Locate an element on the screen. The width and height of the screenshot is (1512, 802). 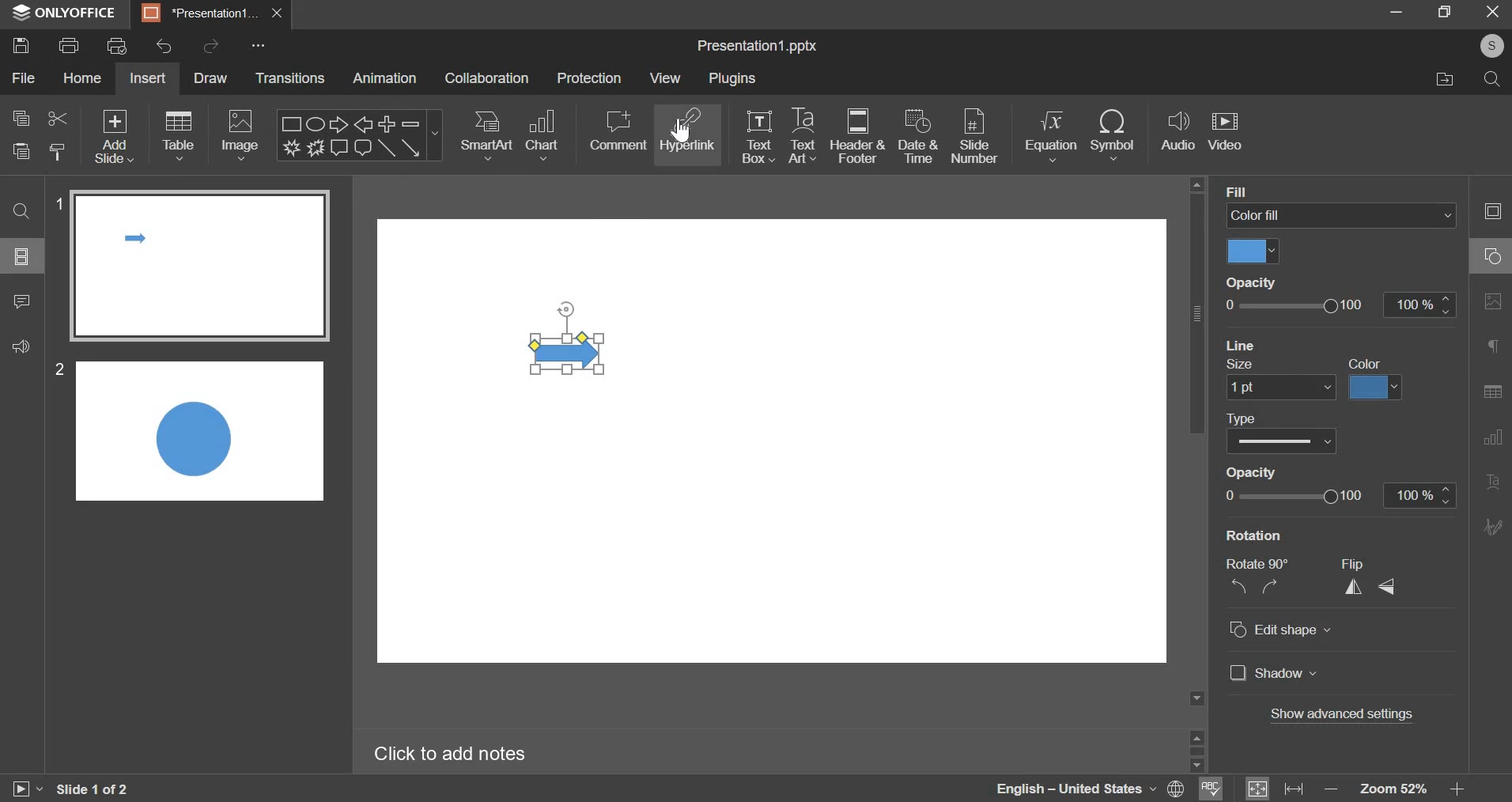
Chart settings is located at coordinates (1494, 437).